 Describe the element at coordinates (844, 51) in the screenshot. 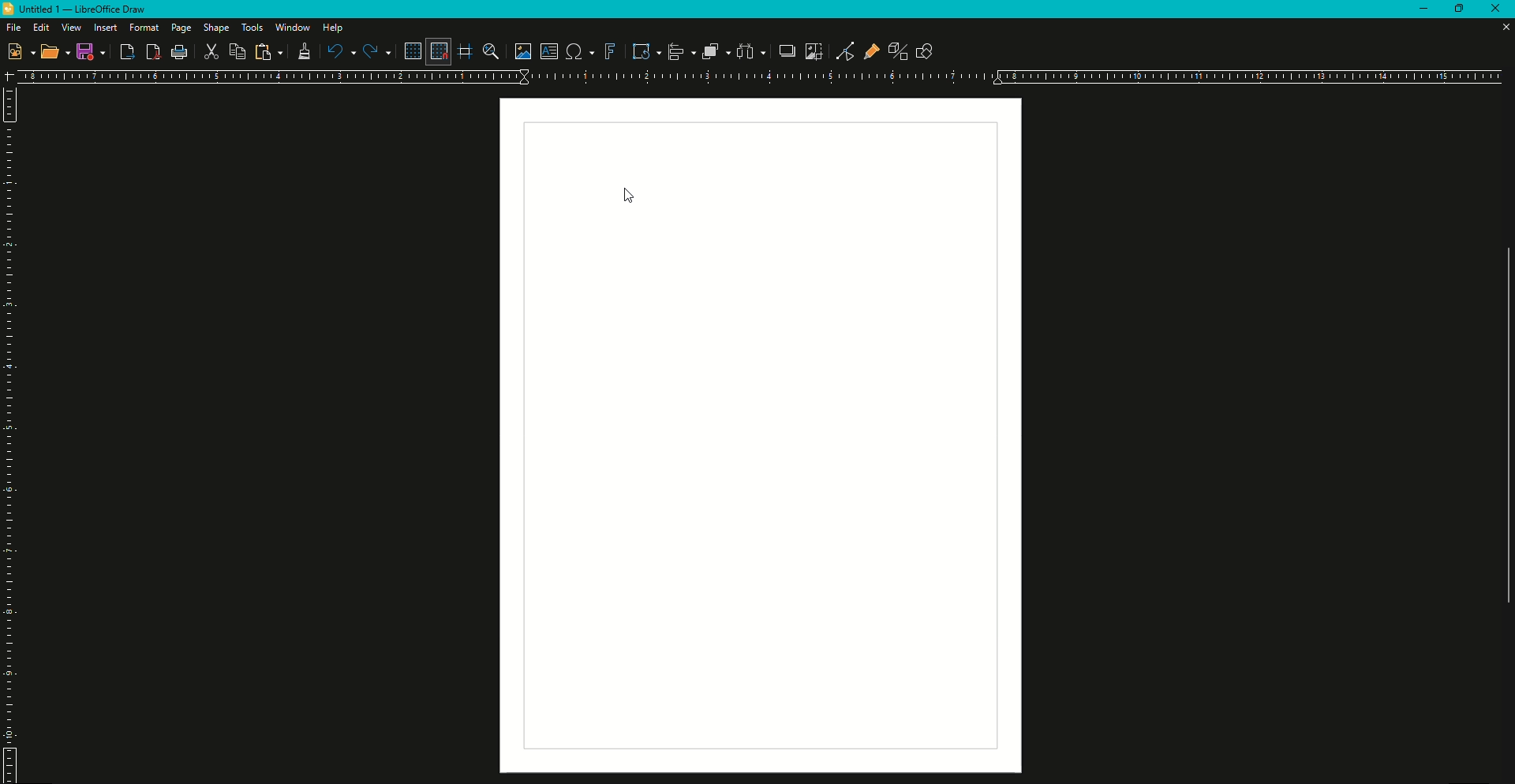

I see `Toggle Point` at that location.